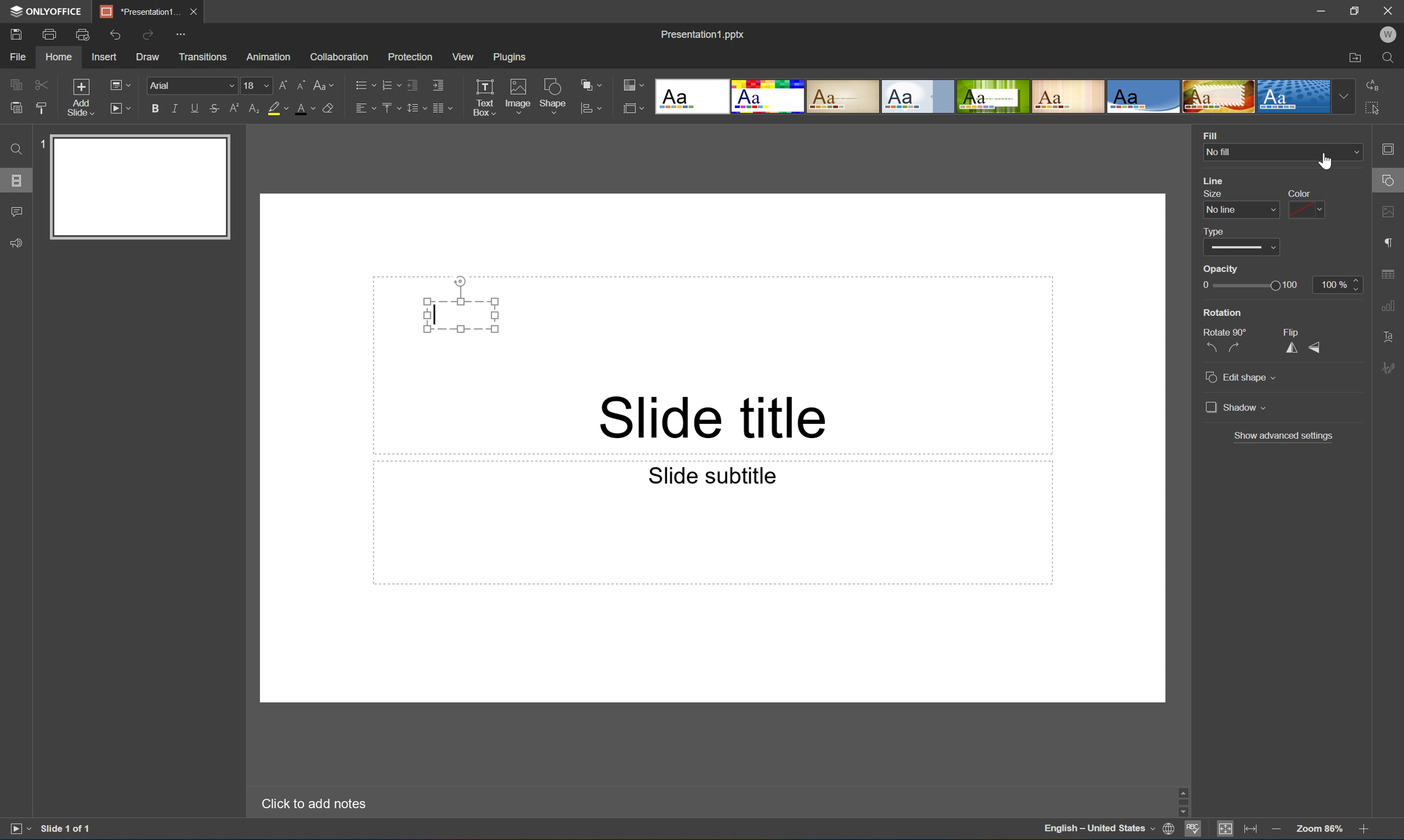 This screenshot has width=1404, height=840. I want to click on Rotate 90° counterclockwise, so click(1209, 348).